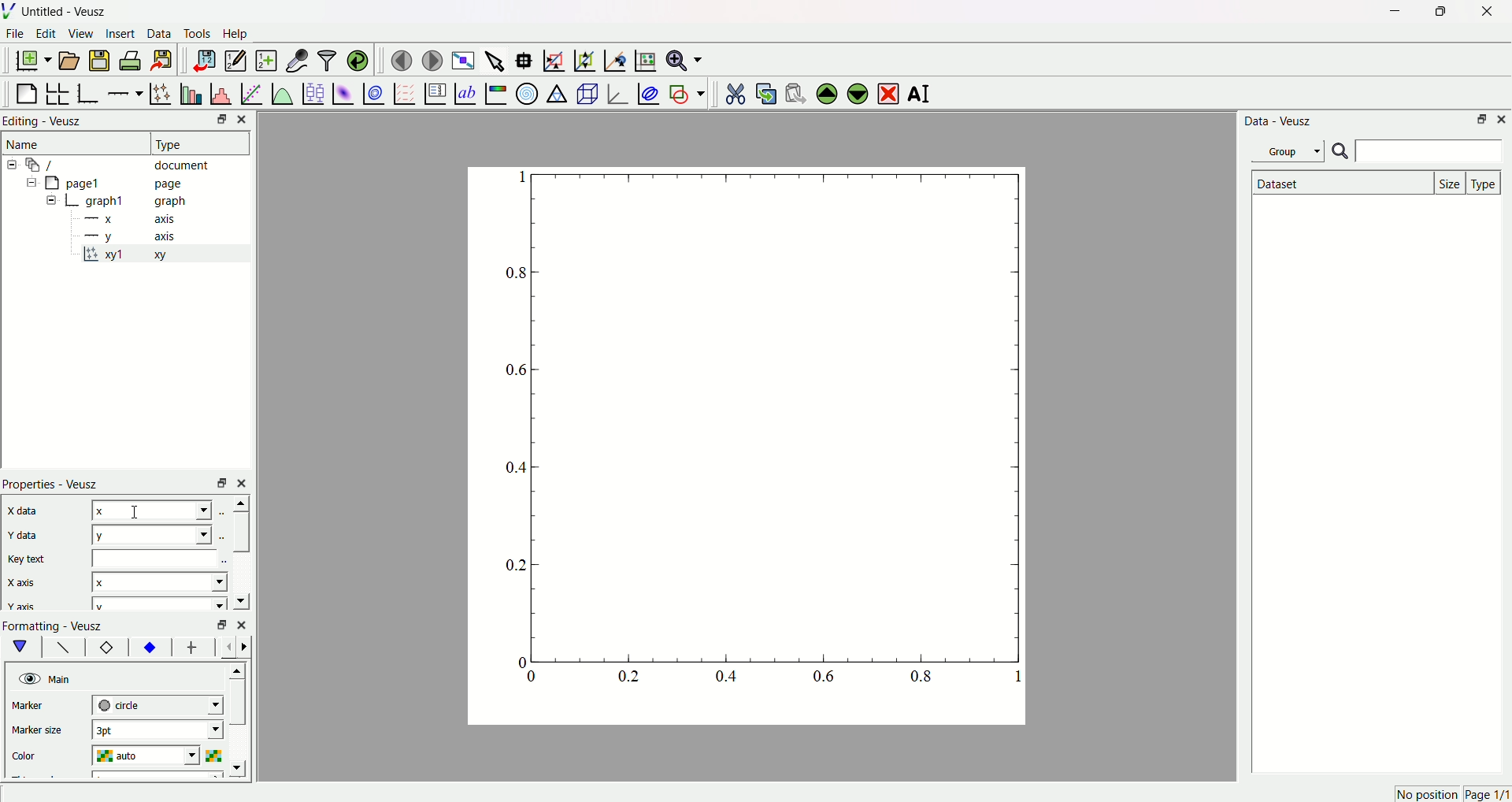  What do you see at coordinates (736, 450) in the screenshot?
I see `page` at bounding box center [736, 450].